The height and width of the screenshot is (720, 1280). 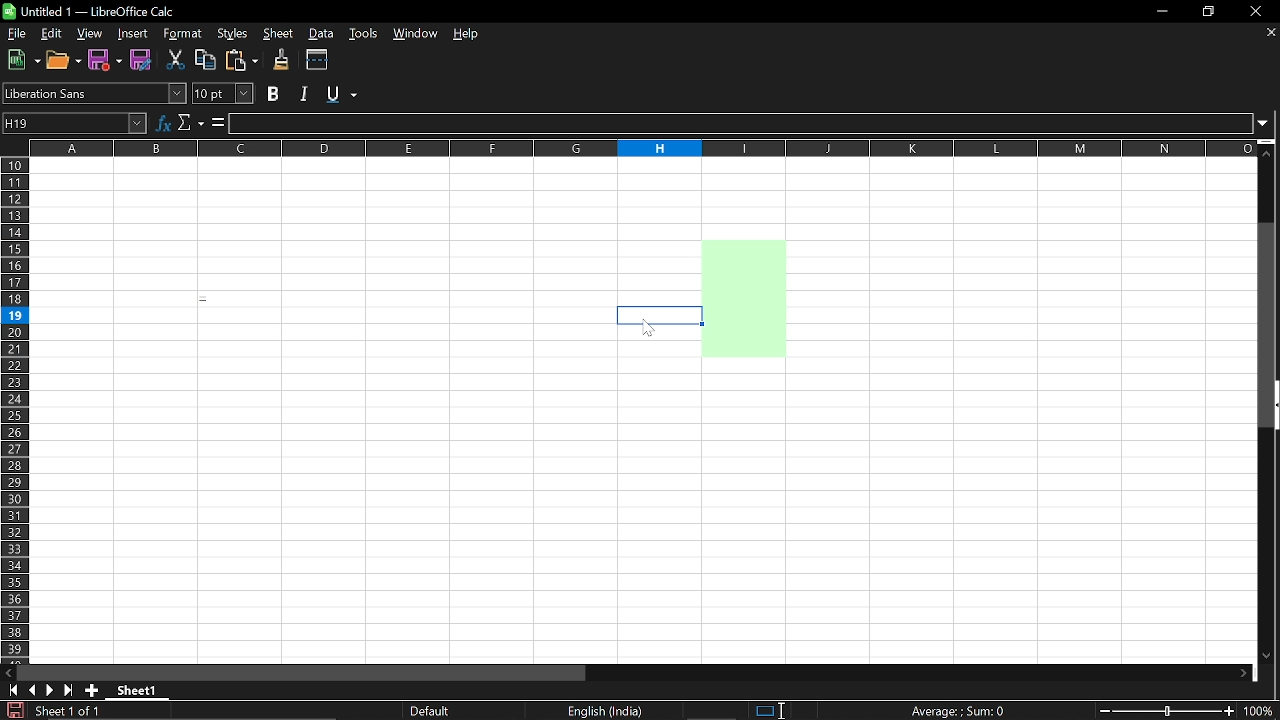 I want to click on Underline, so click(x=344, y=95).